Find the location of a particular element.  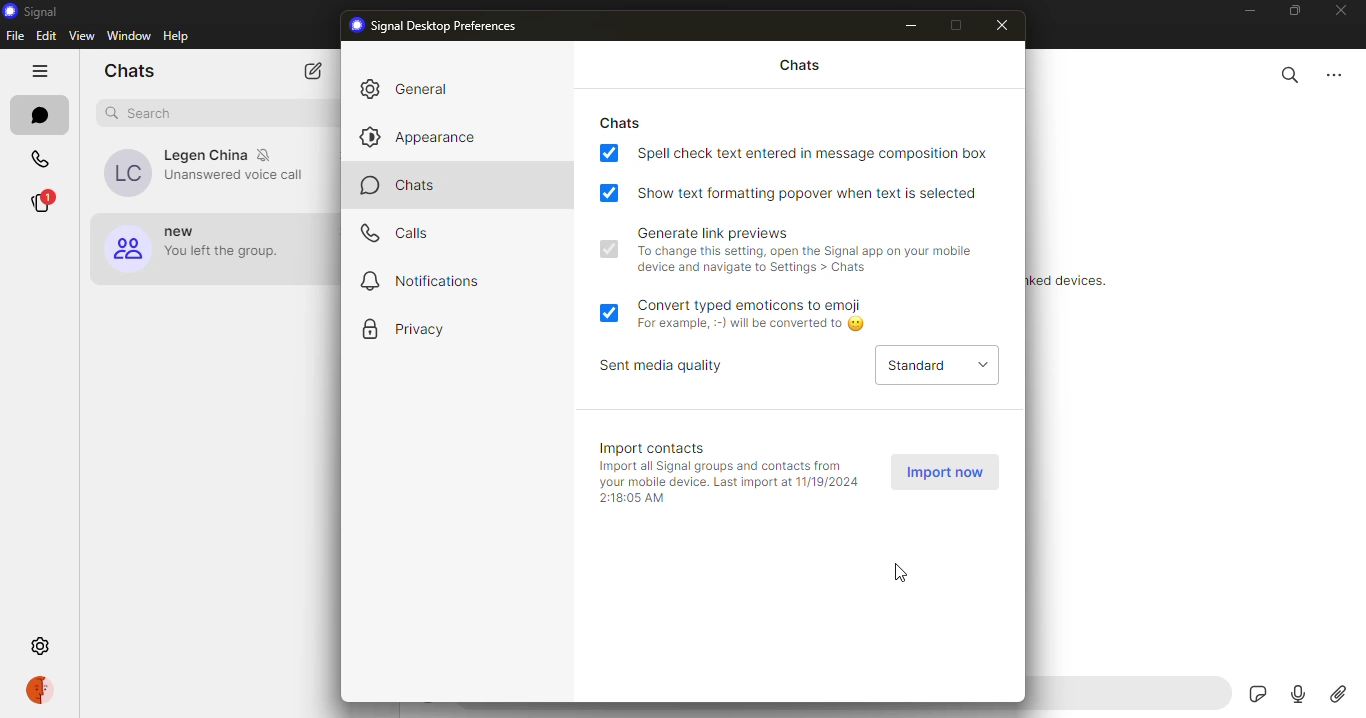

help is located at coordinates (176, 35).